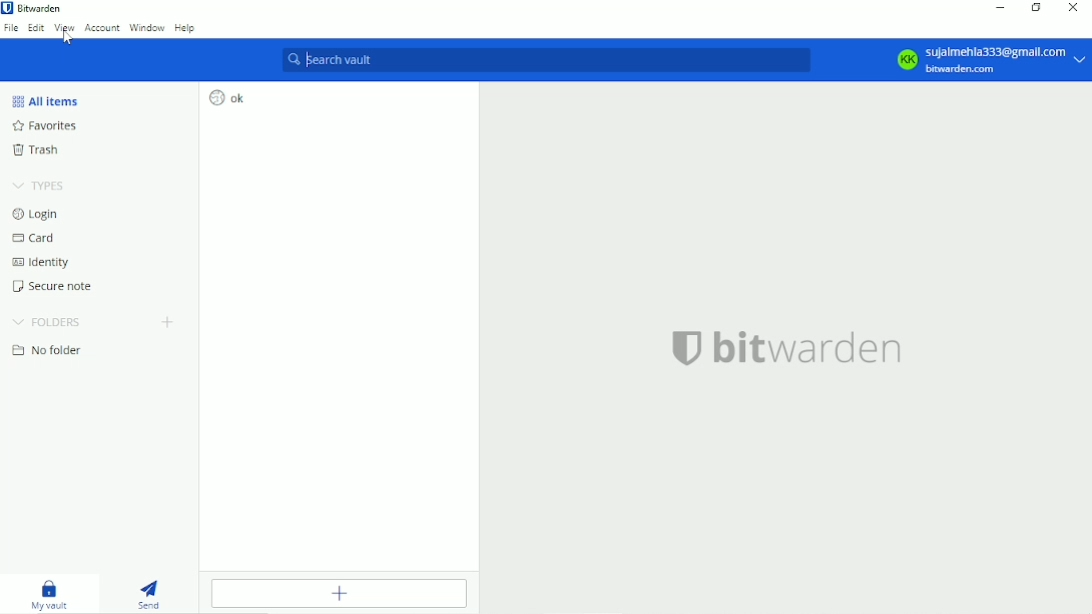  Describe the element at coordinates (151, 593) in the screenshot. I see `Send` at that location.